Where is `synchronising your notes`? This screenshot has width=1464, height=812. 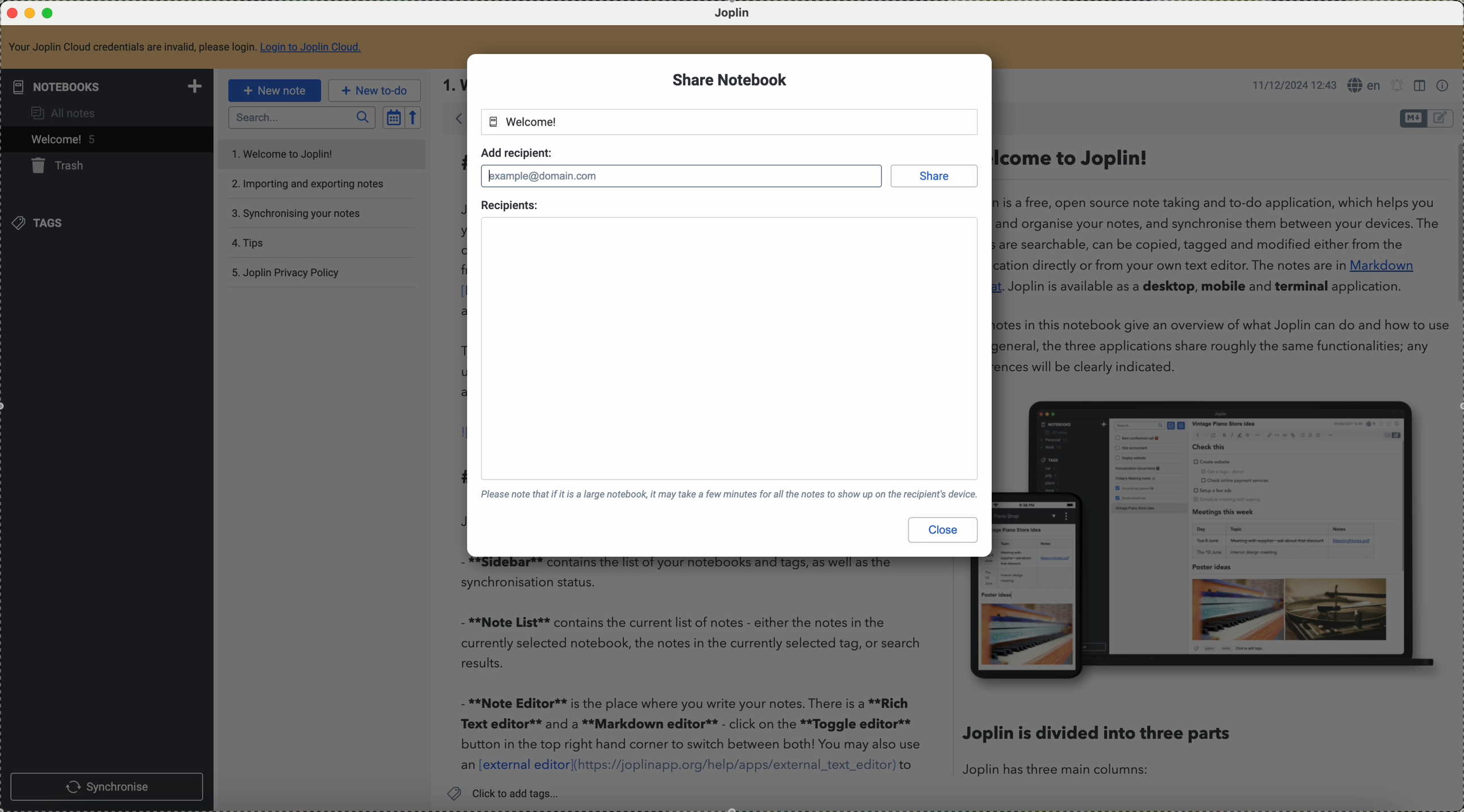
synchronising your notes is located at coordinates (297, 213).